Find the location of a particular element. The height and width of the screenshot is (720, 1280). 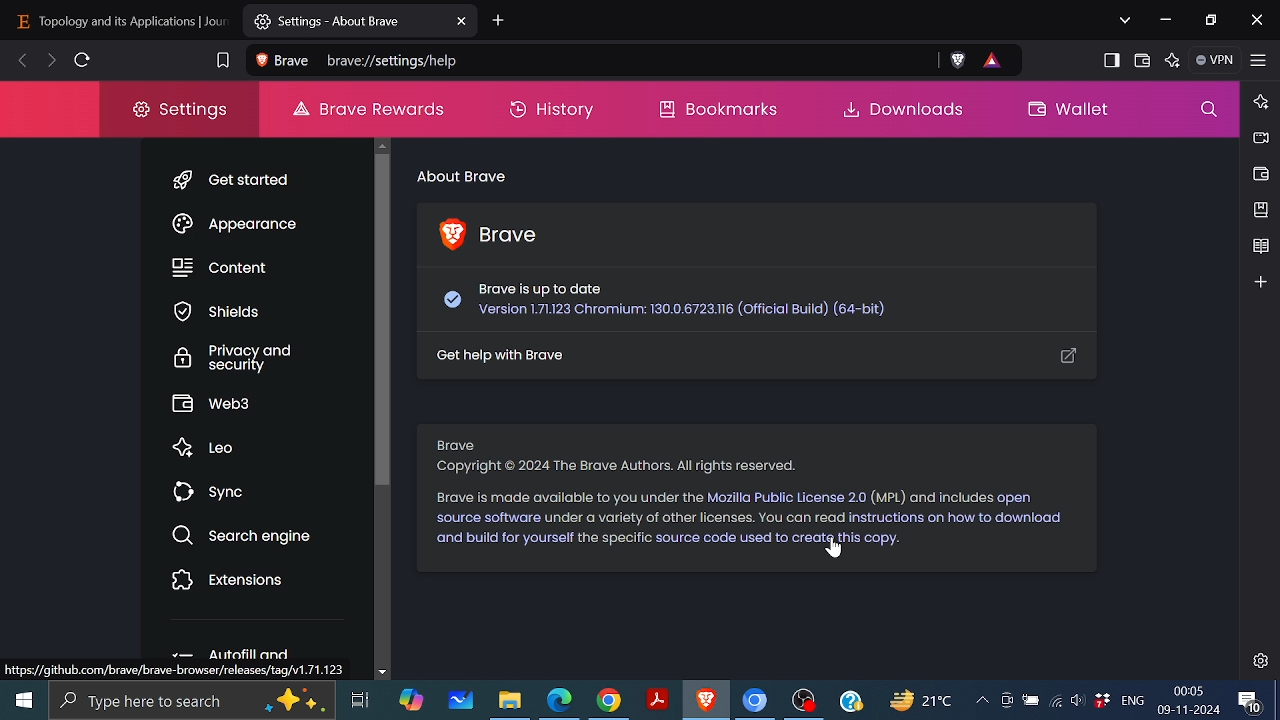

Web3 is located at coordinates (220, 403).